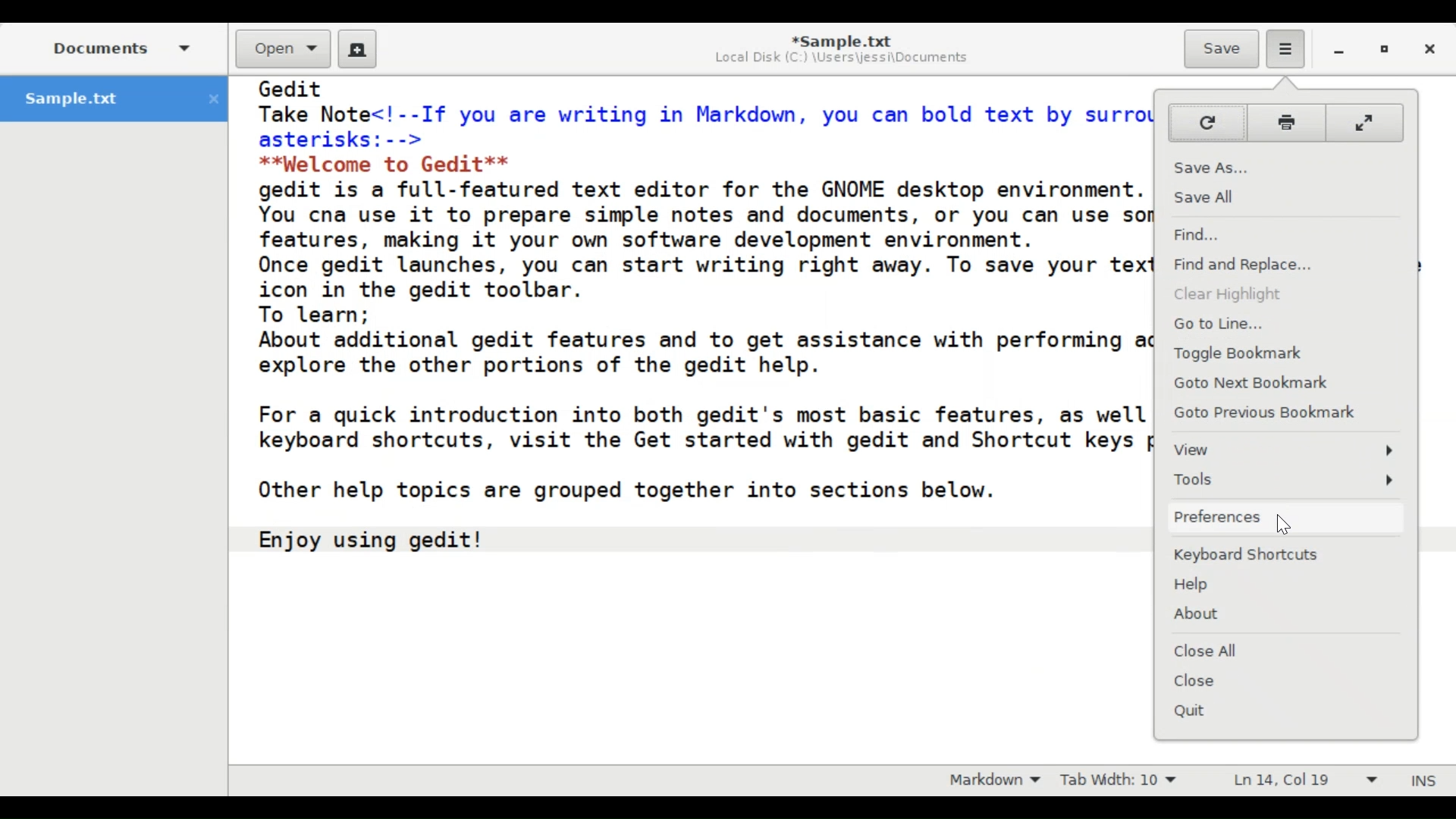  What do you see at coordinates (1287, 162) in the screenshot?
I see `Save As` at bounding box center [1287, 162].